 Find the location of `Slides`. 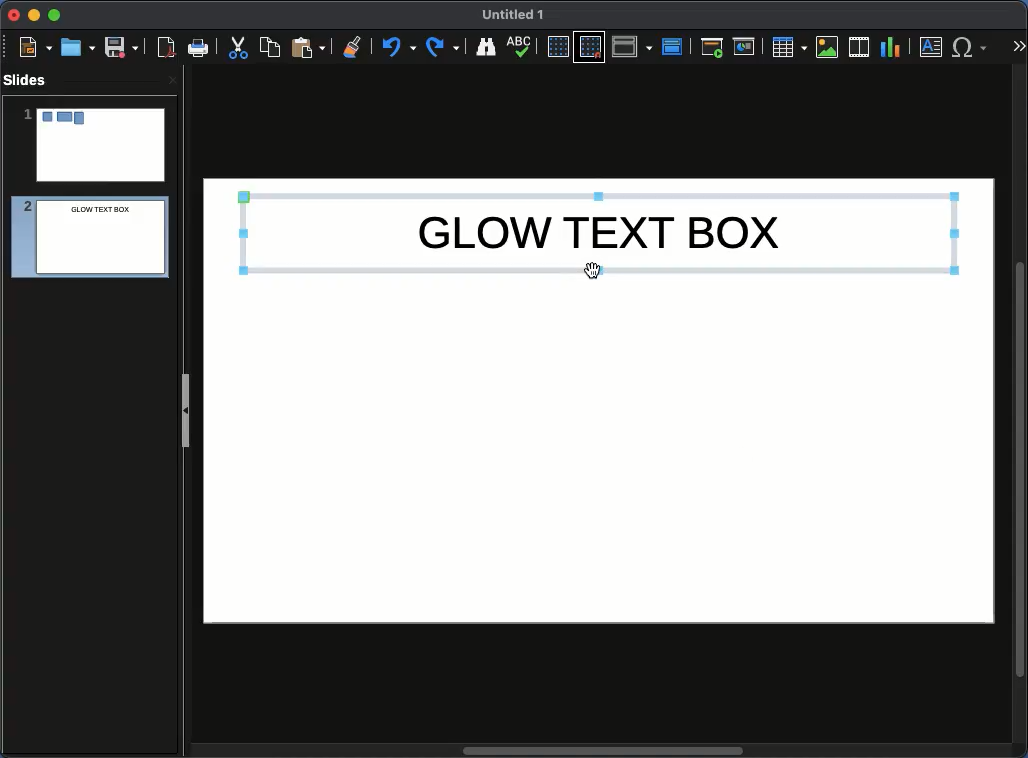

Slides is located at coordinates (31, 80).